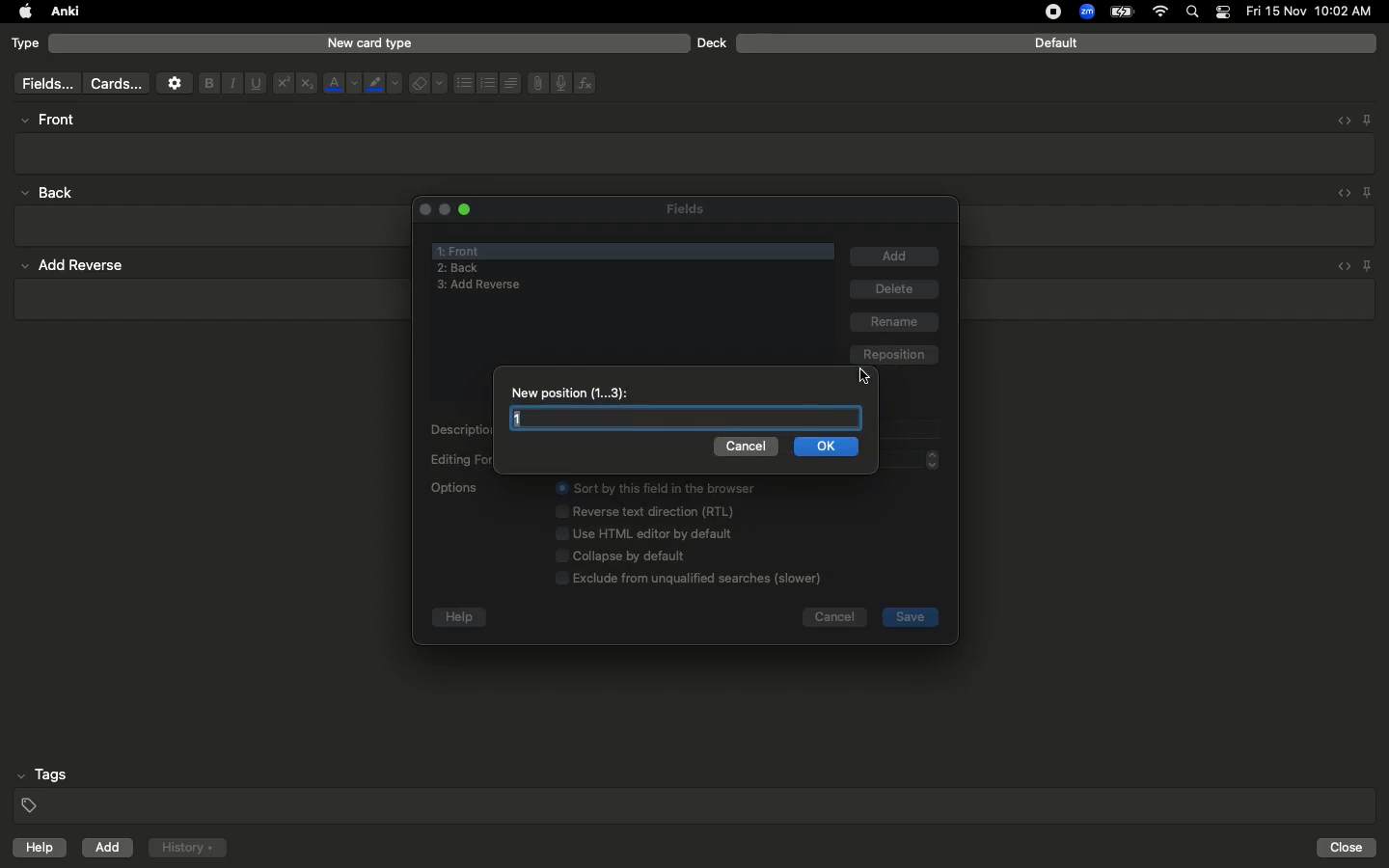  What do you see at coordinates (207, 82) in the screenshot?
I see `Bold` at bounding box center [207, 82].